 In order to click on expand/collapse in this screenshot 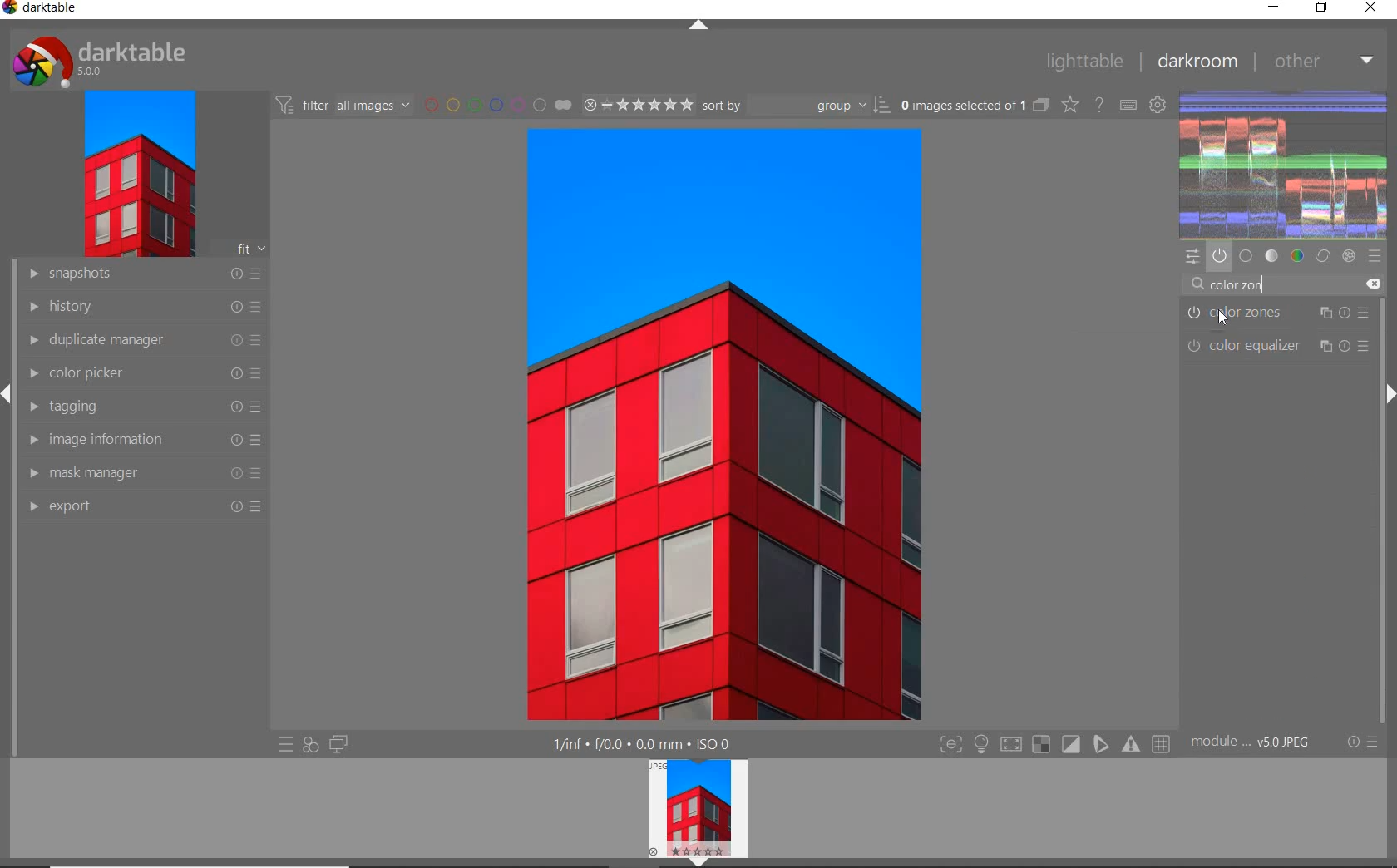, I will do `click(694, 862)`.